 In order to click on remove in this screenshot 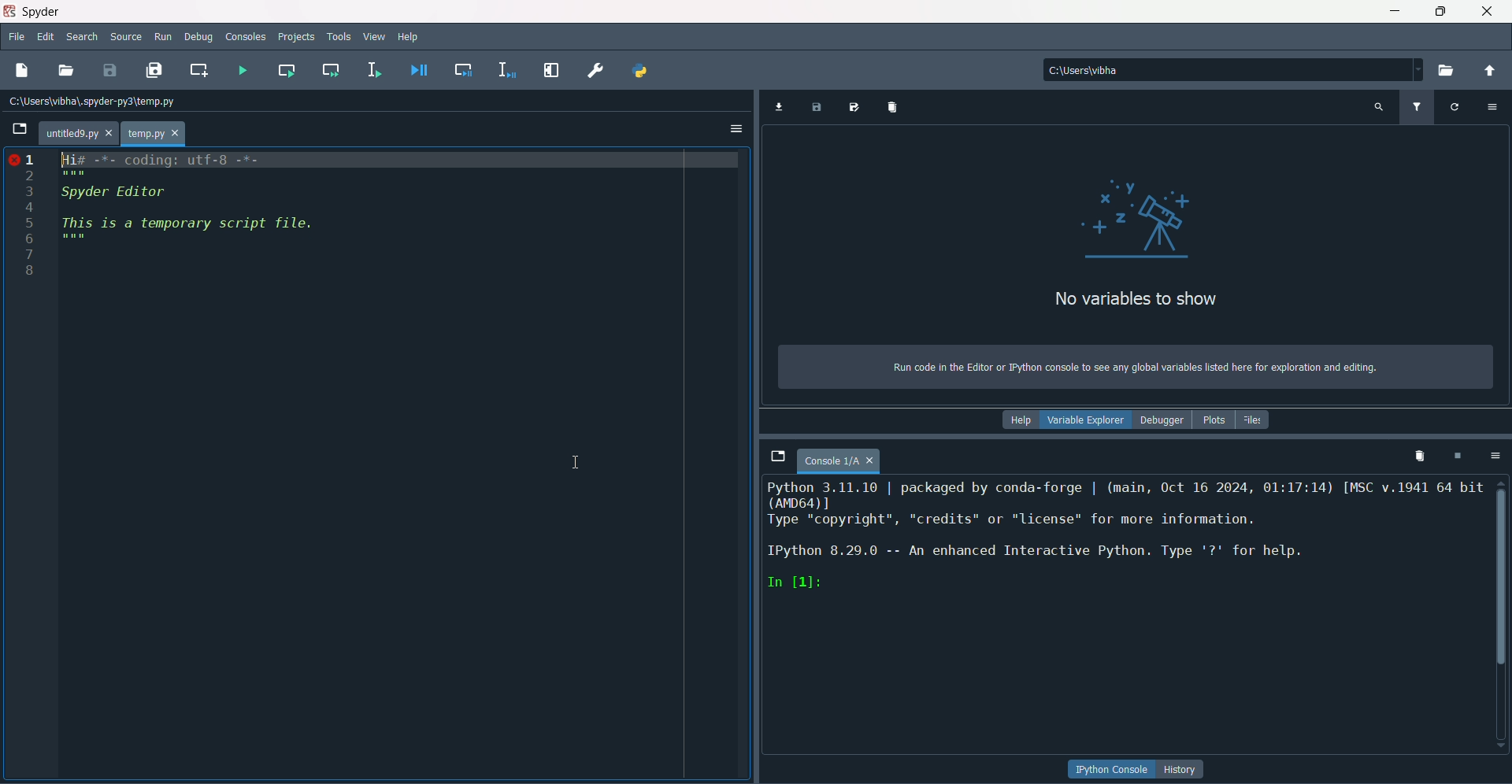, I will do `click(1421, 457)`.